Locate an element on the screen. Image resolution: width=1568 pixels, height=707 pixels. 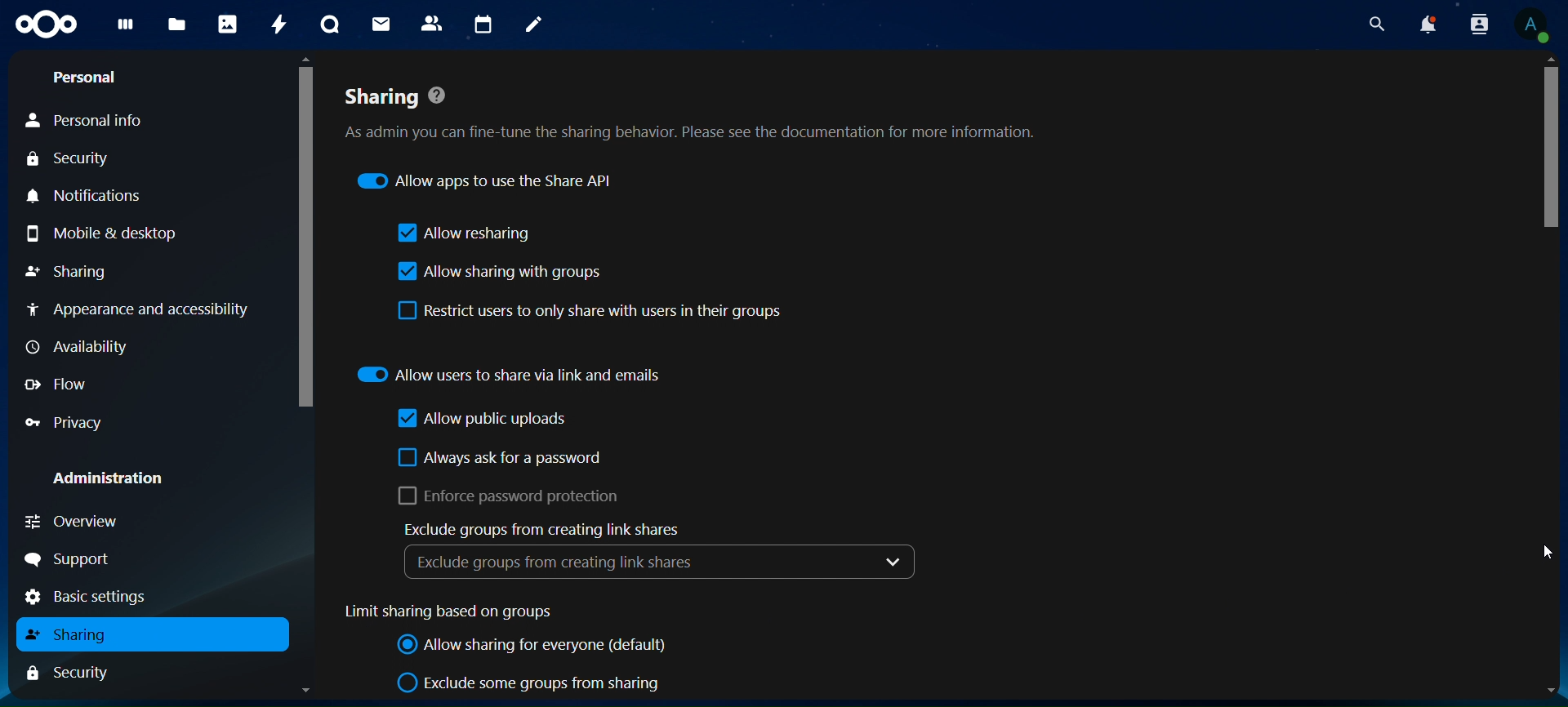
enforce password protection is located at coordinates (505, 496).